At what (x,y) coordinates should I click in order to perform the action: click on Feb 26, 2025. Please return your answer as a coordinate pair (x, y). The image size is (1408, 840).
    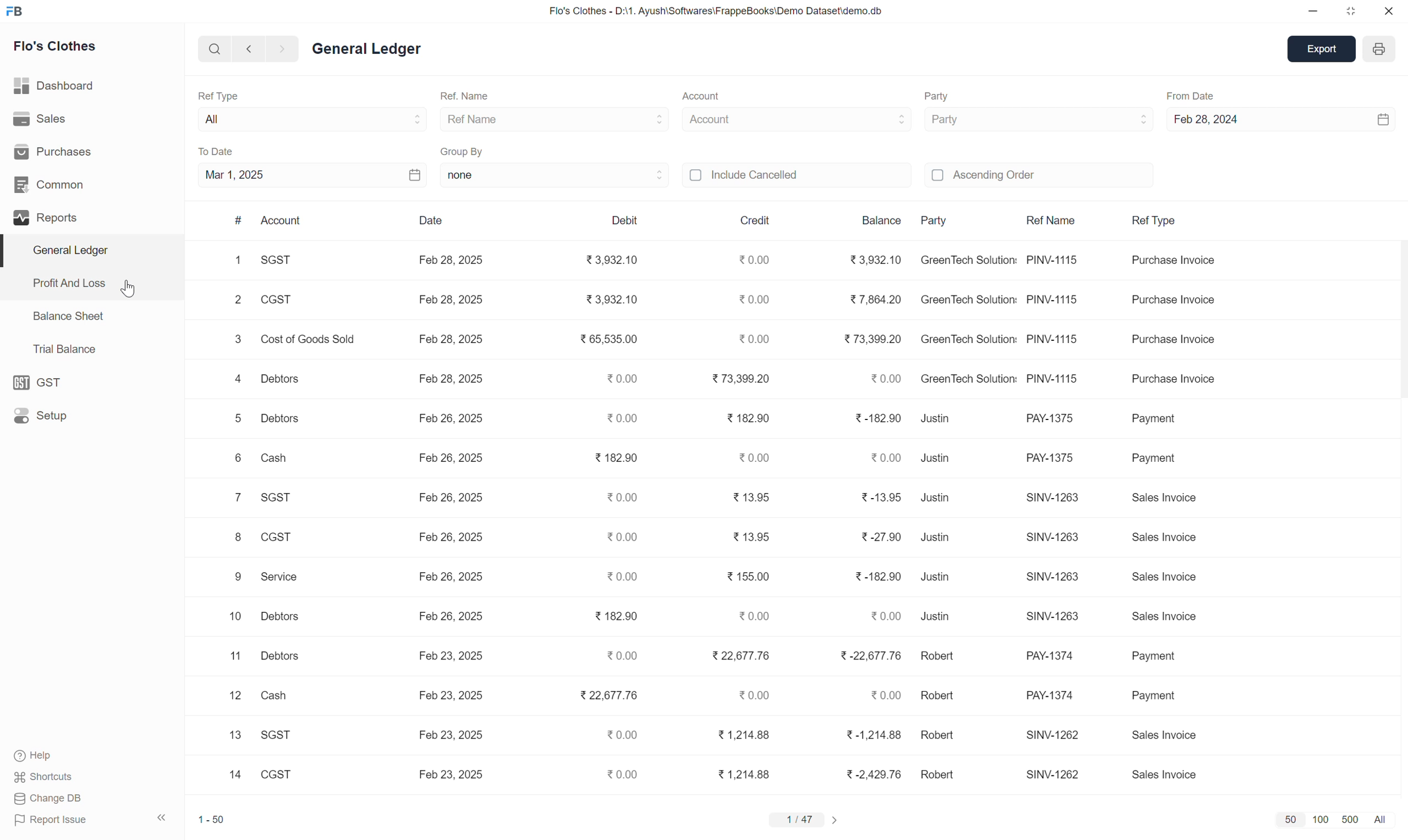
    Looking at the image, I should click on (447, 500).